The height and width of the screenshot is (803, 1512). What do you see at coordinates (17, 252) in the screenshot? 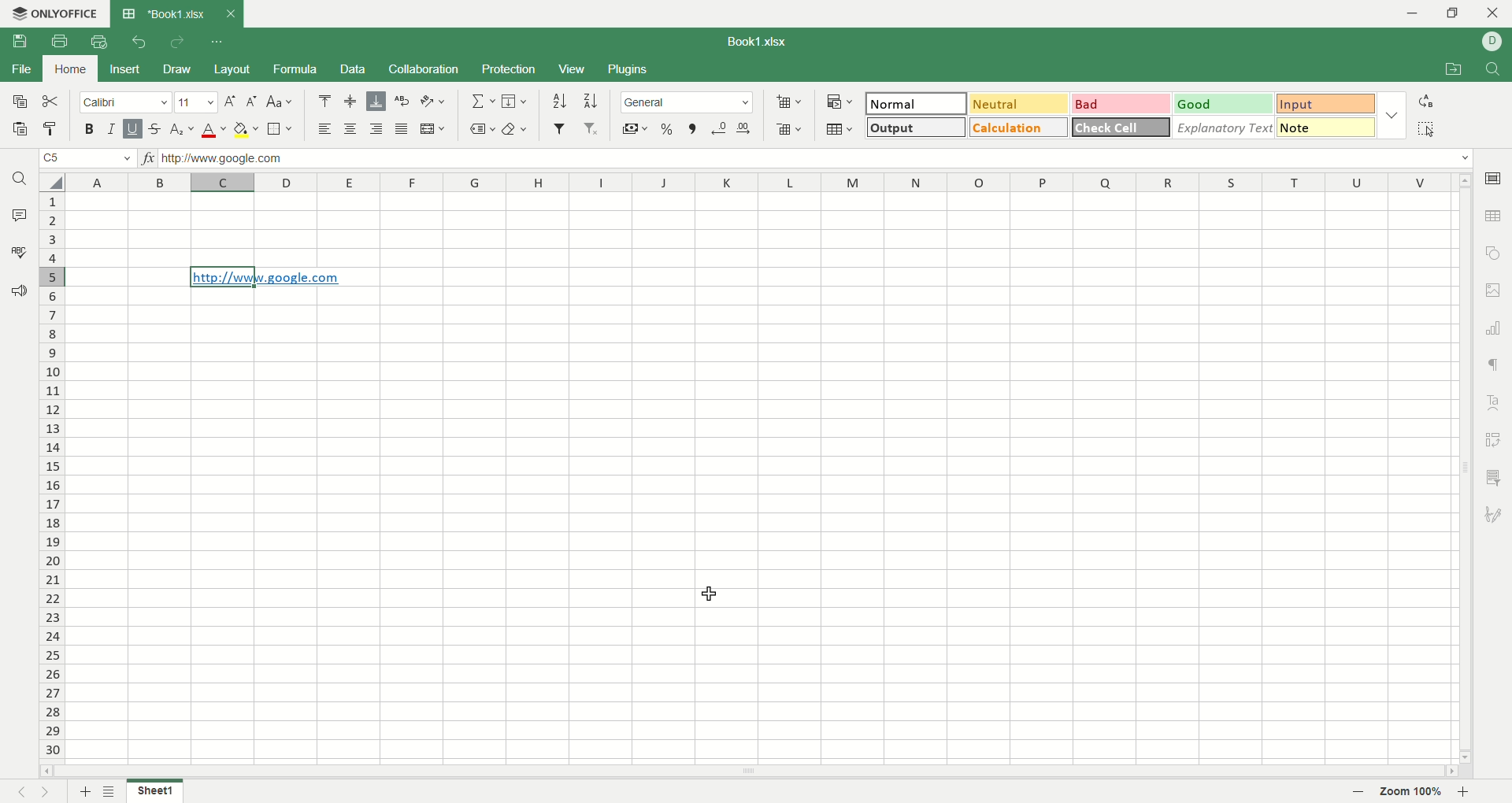
I see `spell check` at bounding box center [17, 252].